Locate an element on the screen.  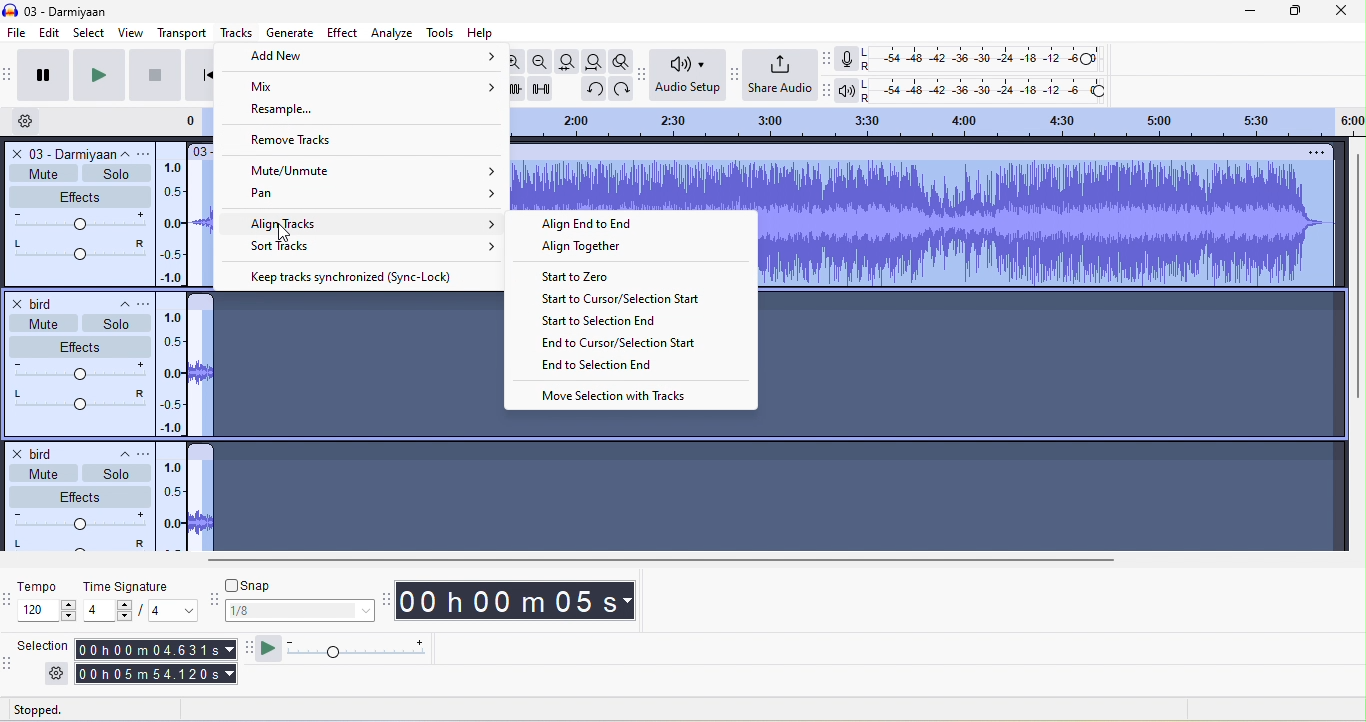
linear is located at coordinates (173, 372).